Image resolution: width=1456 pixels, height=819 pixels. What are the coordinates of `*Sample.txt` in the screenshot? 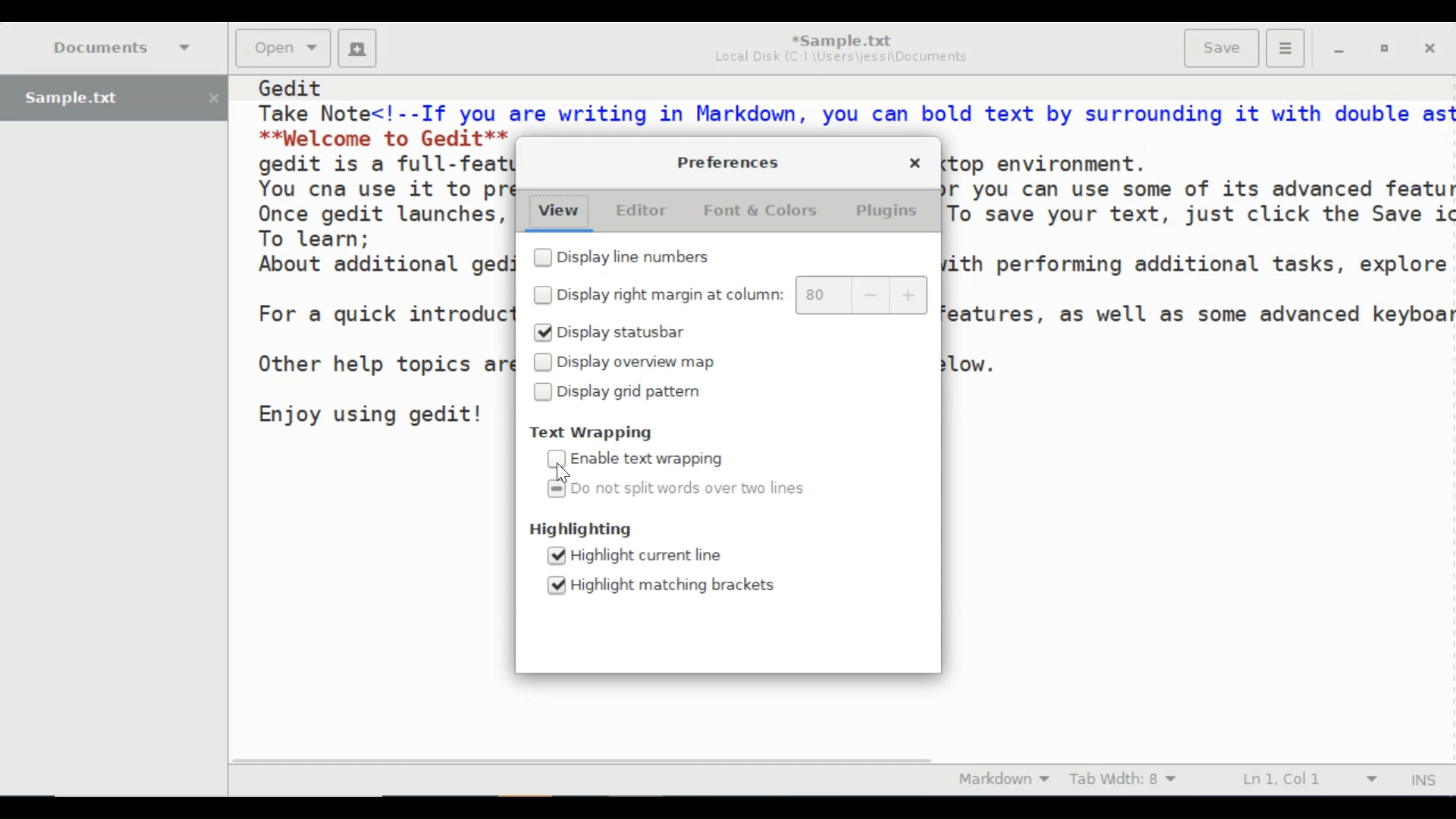 It's located at (840, 39).